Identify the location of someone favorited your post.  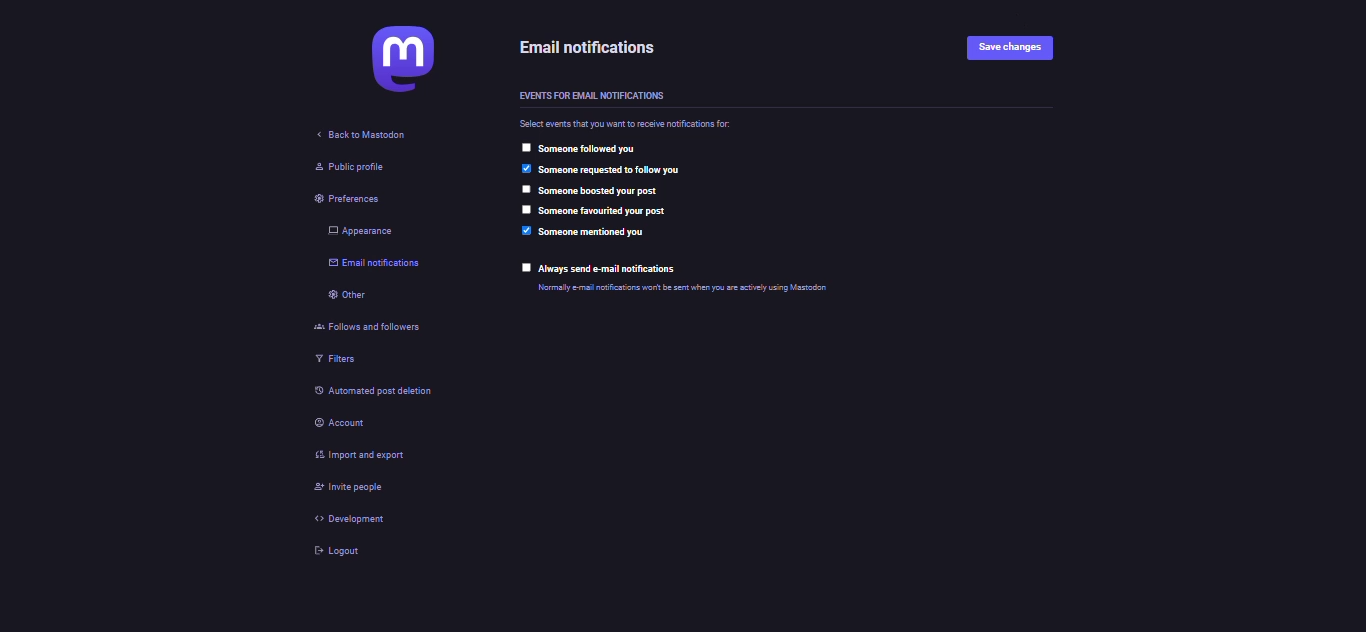
(603, 210).